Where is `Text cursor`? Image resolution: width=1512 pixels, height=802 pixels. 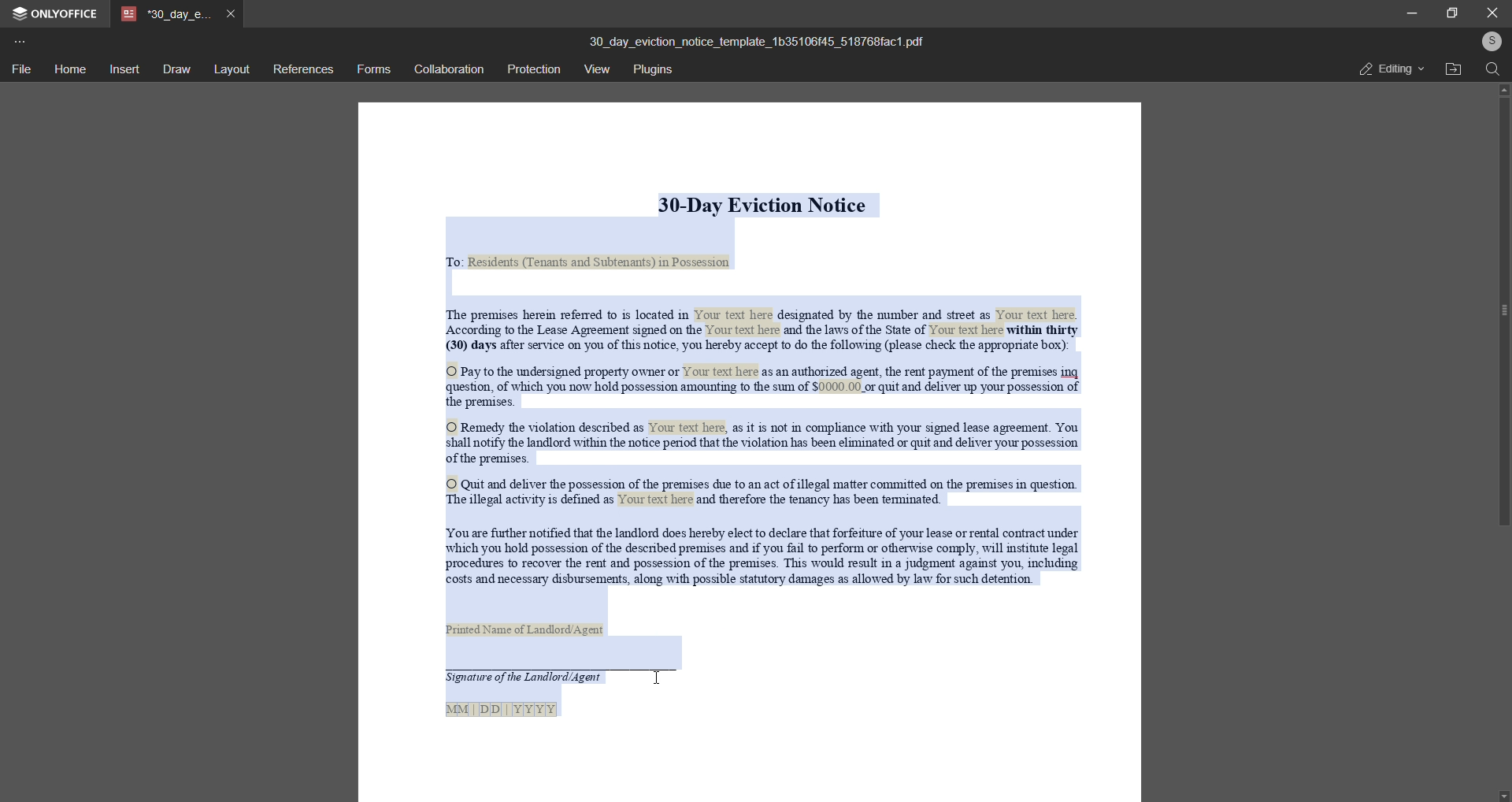 Text cursor is located at coordinates (661, 681).